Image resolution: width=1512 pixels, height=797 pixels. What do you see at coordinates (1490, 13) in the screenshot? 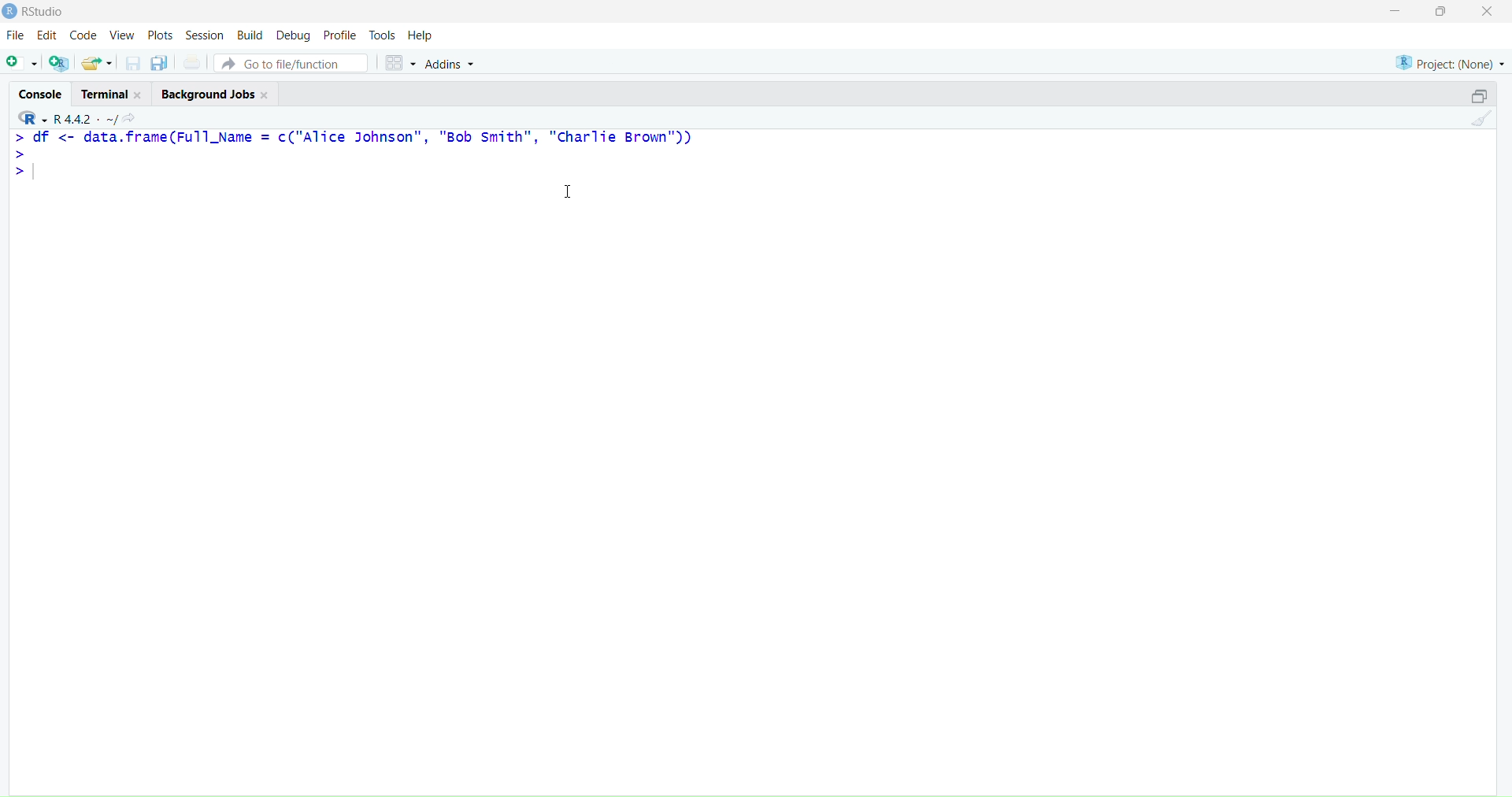
I see `Close` at bounding box center [1490, 13].